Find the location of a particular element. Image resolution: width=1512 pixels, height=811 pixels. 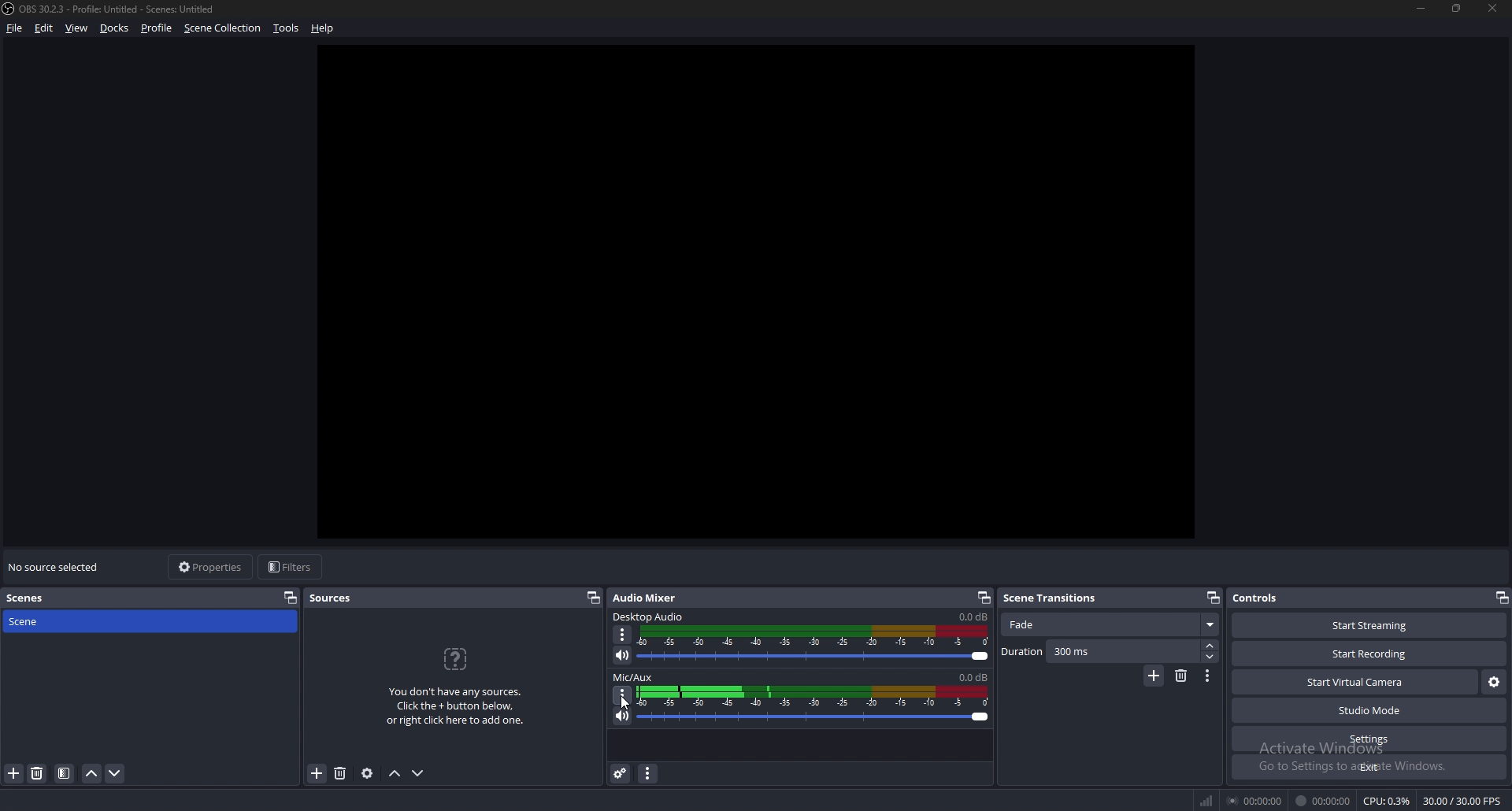

docks is located at coordinates (114, 28).